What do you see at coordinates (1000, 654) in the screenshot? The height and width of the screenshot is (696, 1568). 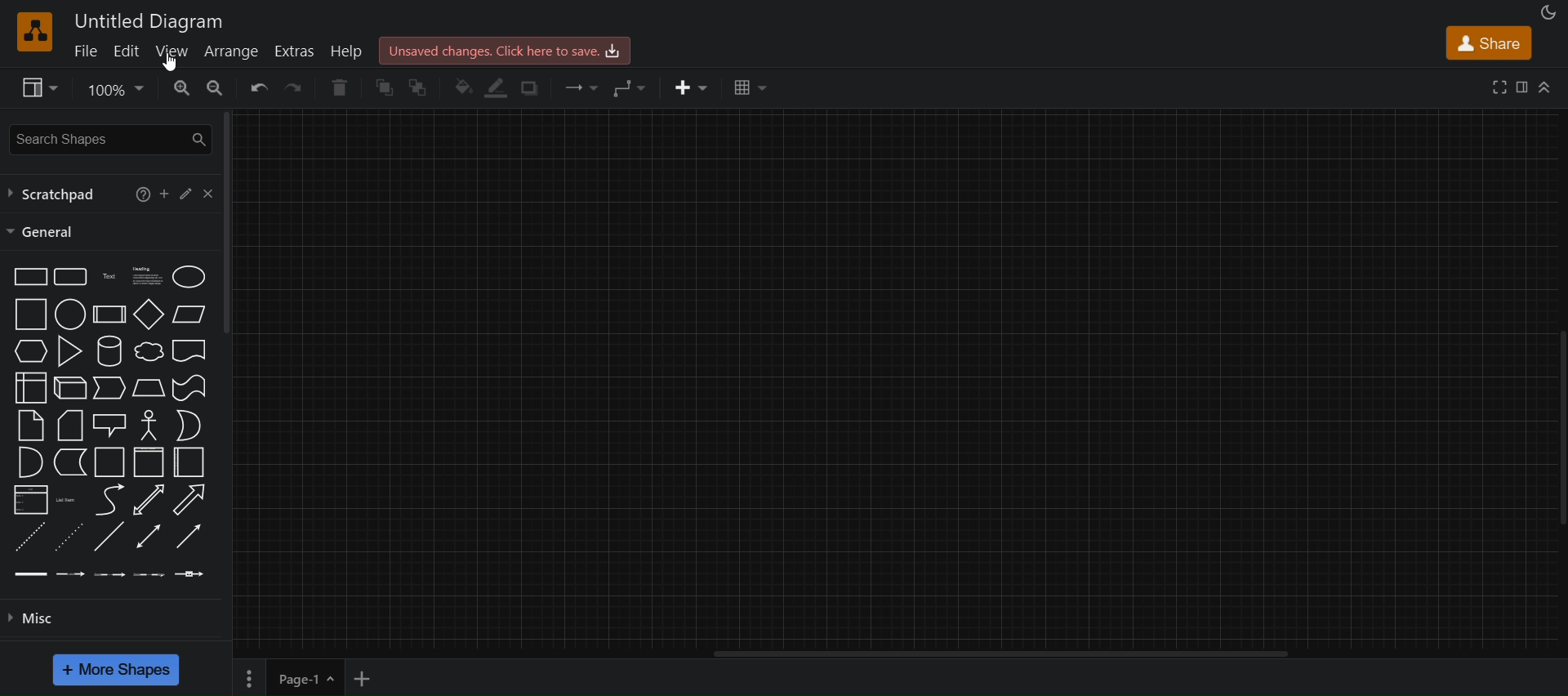 I see `vertical scroll bar` at bounding box center [1000, 654].